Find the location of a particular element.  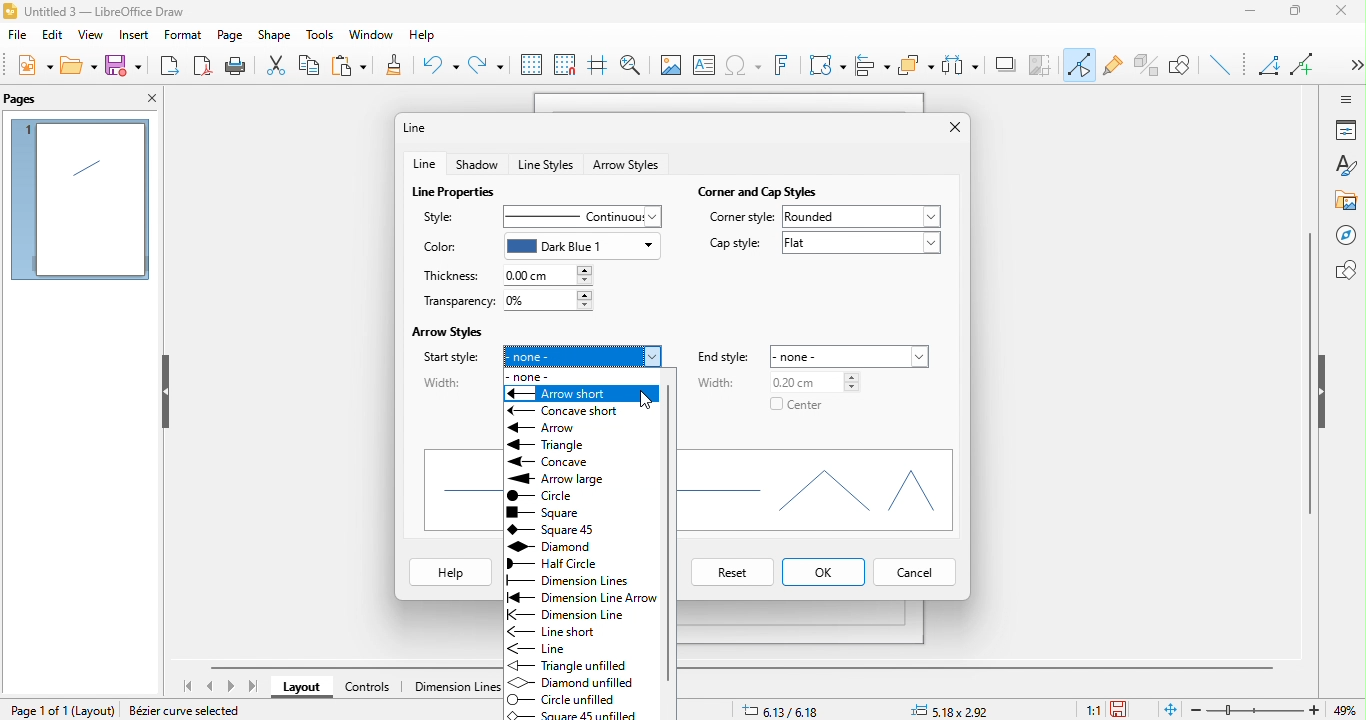

open is located at coordinates (80, 65).